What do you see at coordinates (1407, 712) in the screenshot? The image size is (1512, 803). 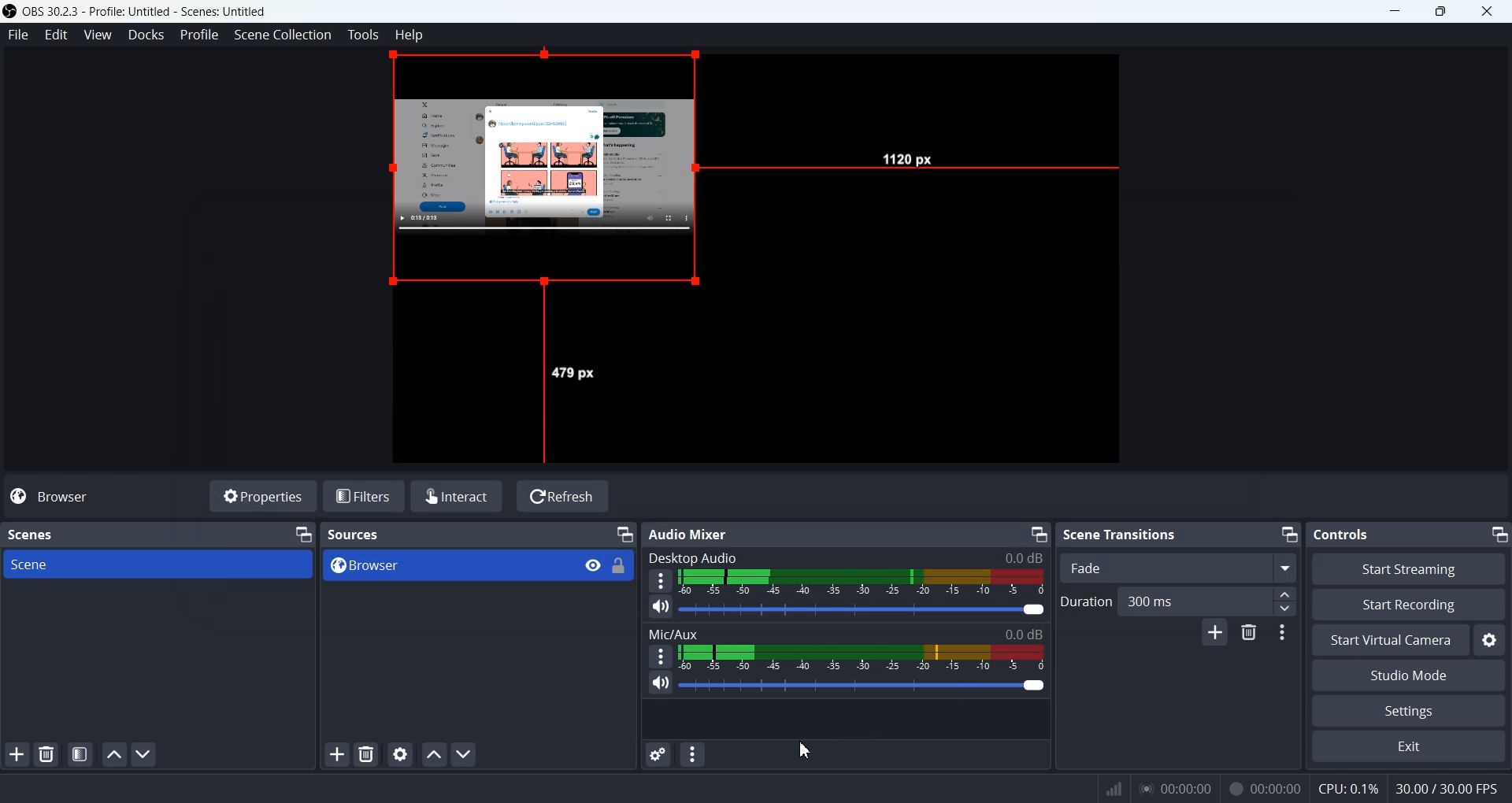 I see `Settings` at bounding box center [1407, 712].